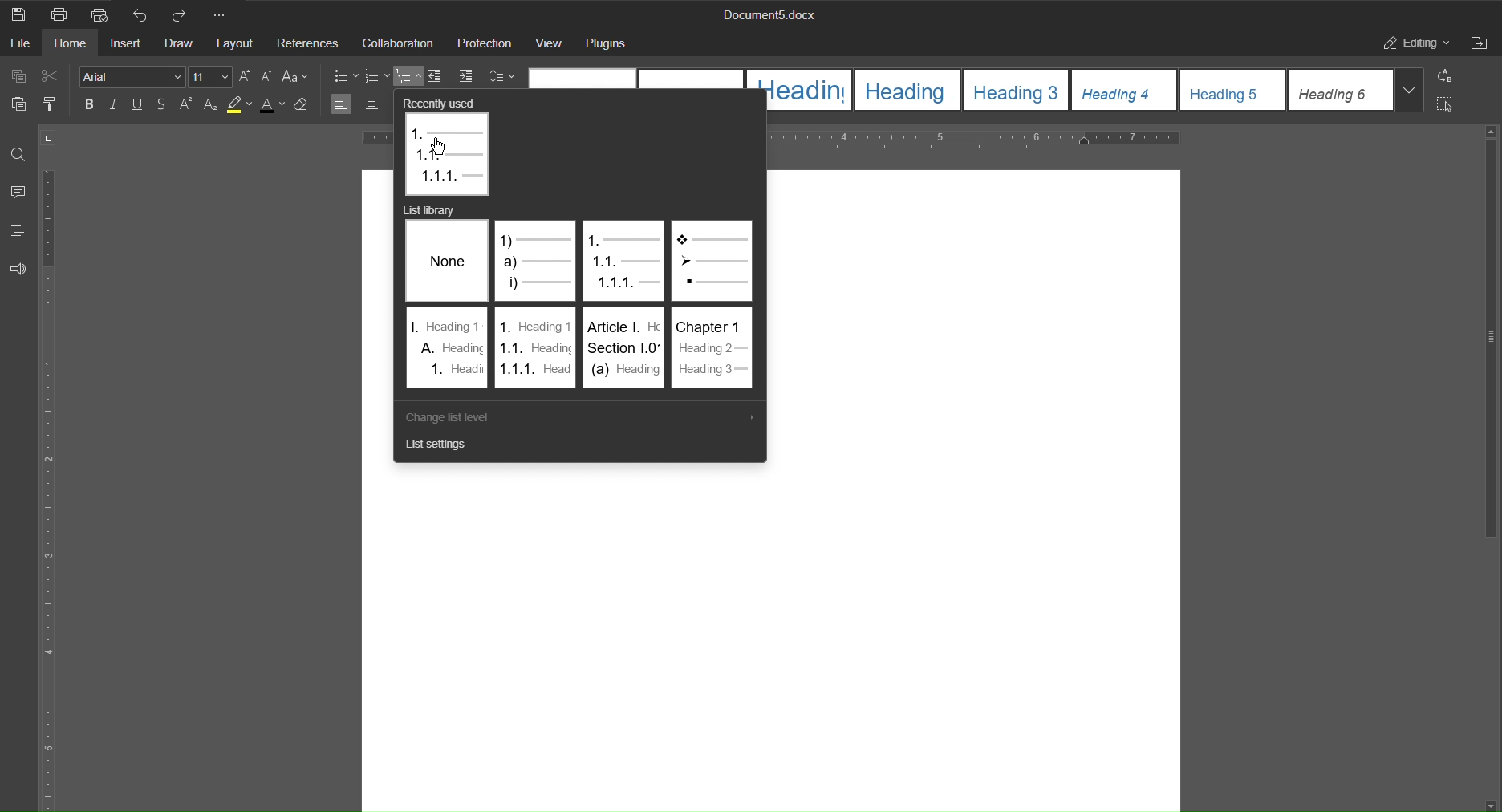 Image resolution: width=1502 pixels, height=812 pixels. I want to click on References, so click(309, 44).